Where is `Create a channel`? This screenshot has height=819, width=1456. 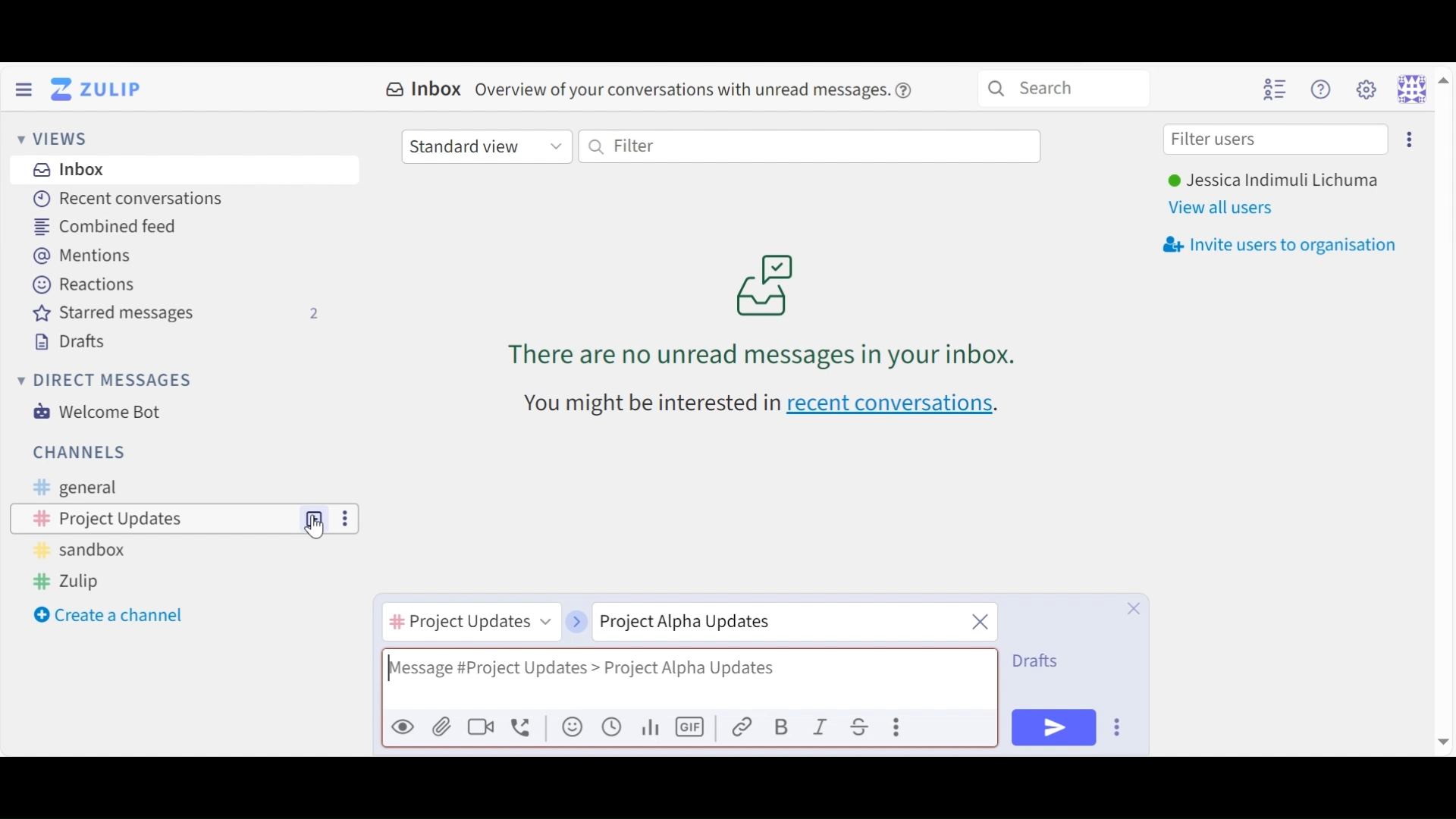 Create a channel is located at coordinates (111, 617).